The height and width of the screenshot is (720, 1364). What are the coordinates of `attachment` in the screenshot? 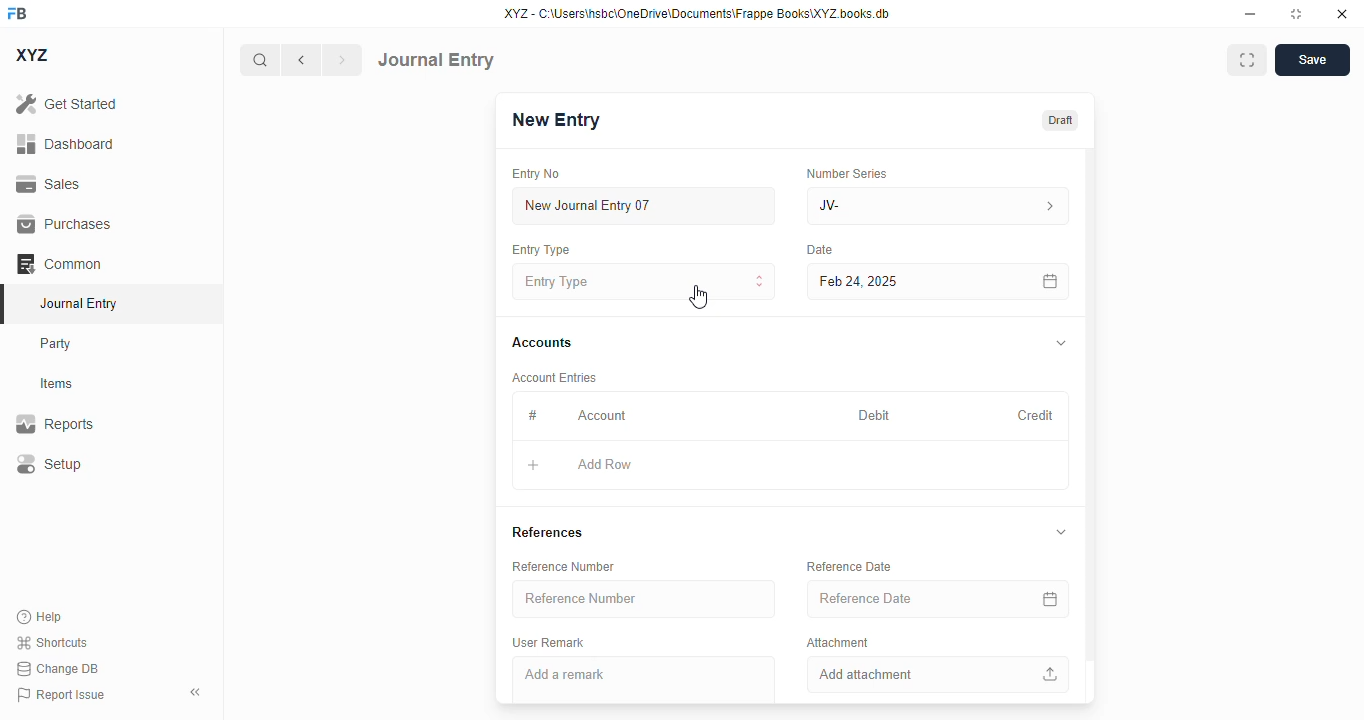 It's located at (838, 642).